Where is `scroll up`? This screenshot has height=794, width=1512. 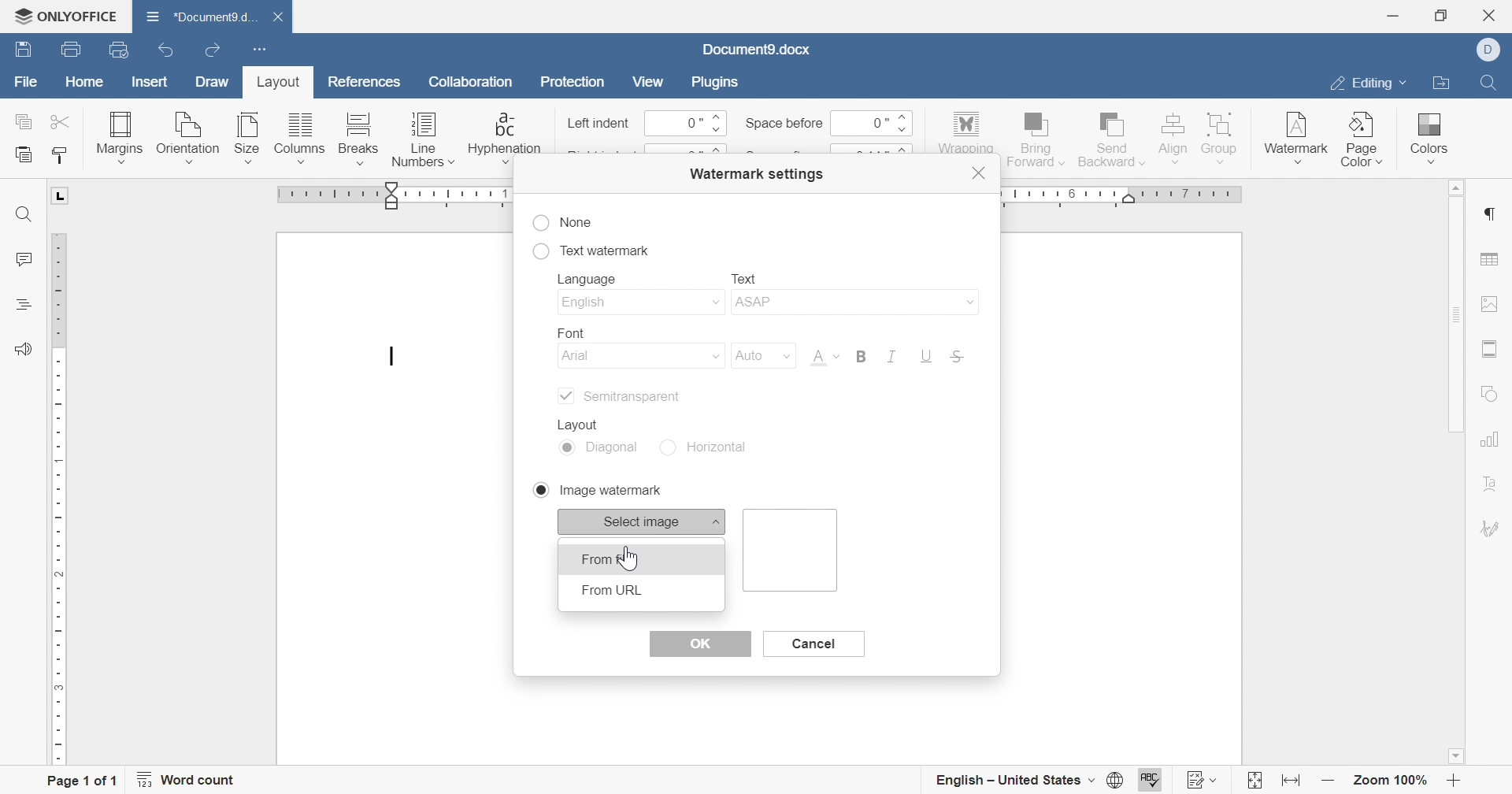 scroll up is located at coordinates (1451, 187).